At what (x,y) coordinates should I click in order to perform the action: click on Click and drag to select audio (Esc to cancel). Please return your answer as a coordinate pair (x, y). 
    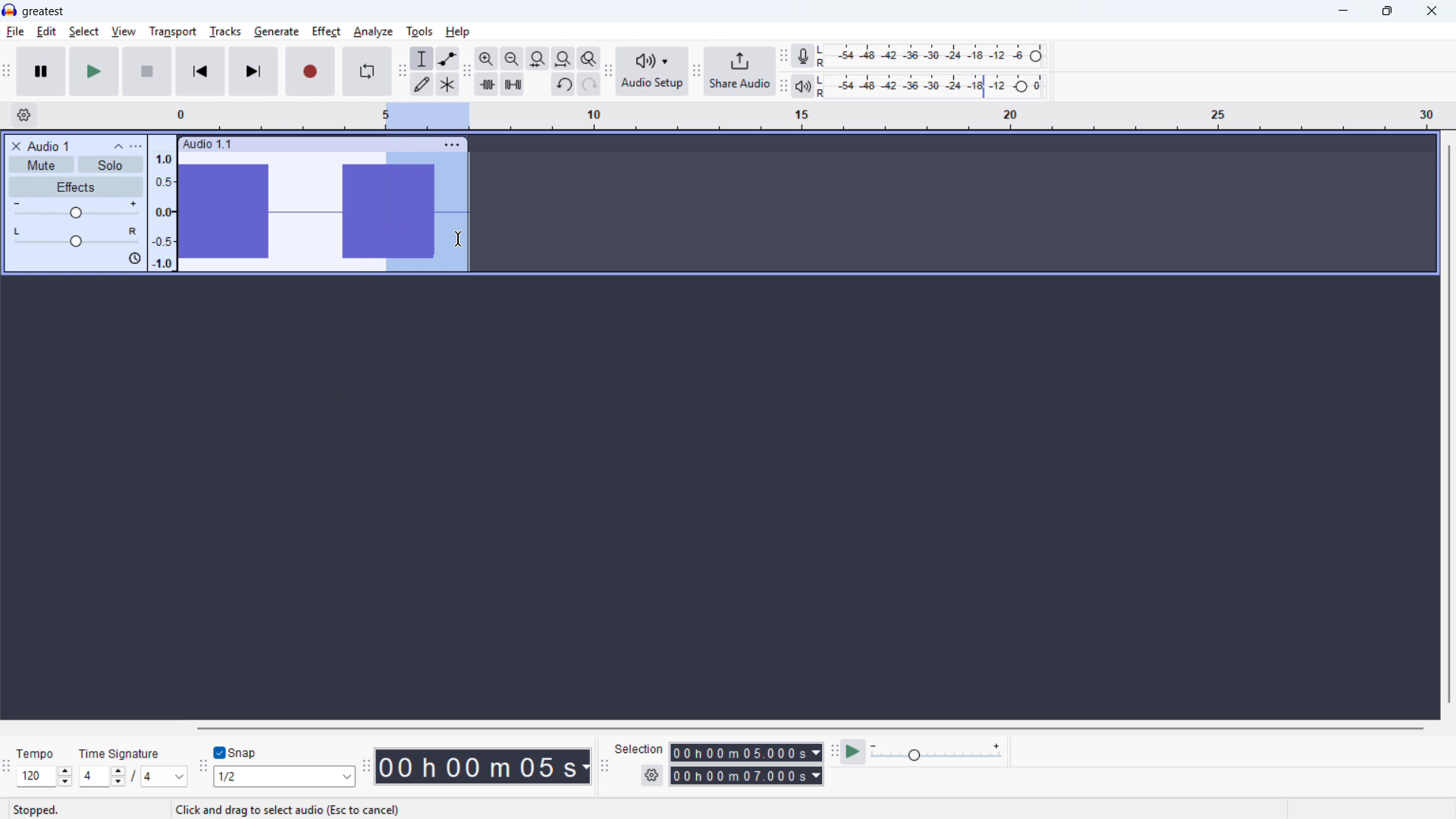
    Looking at the image, I should click on (289, 811).